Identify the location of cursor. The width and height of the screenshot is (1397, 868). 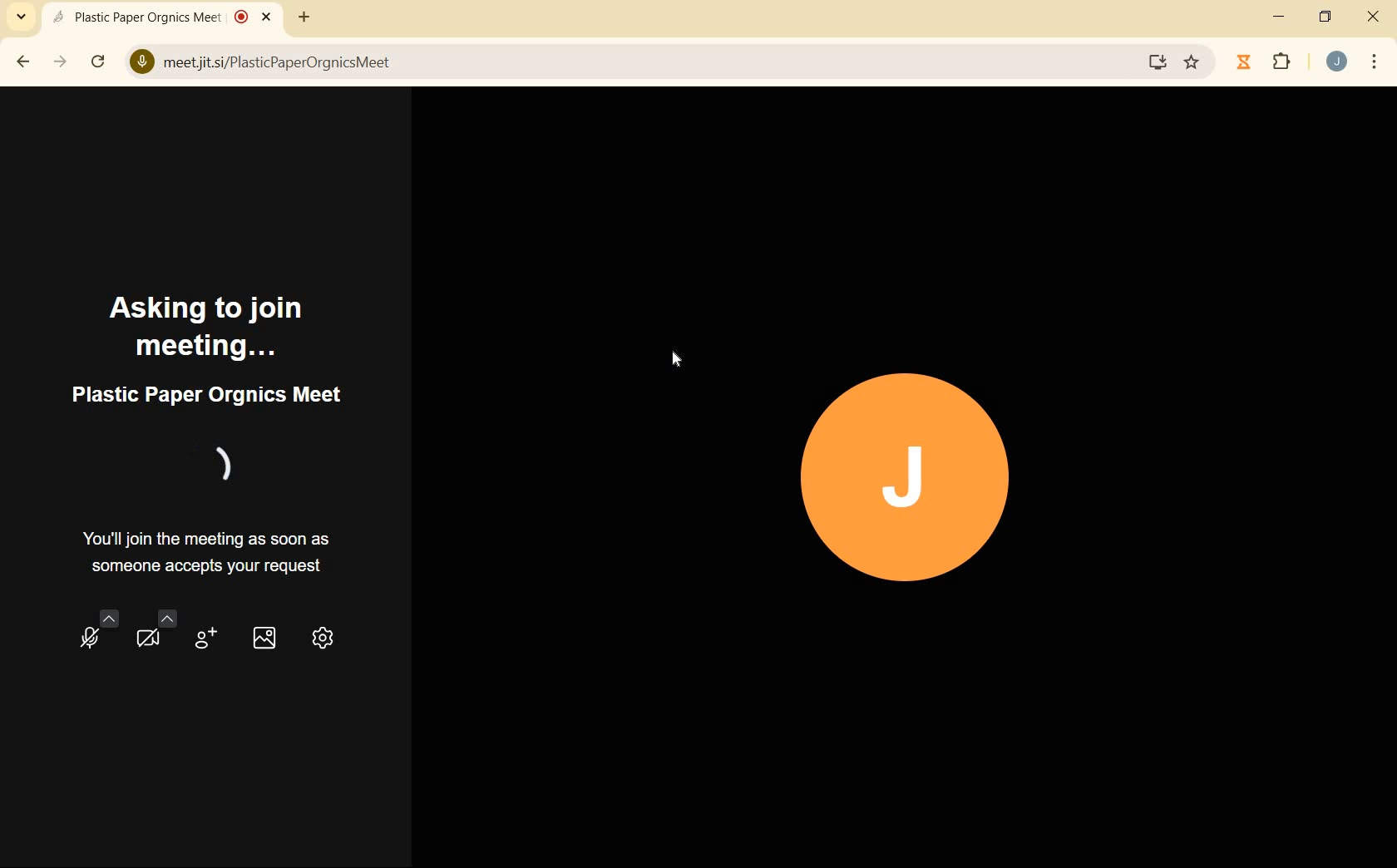
(682, 360).